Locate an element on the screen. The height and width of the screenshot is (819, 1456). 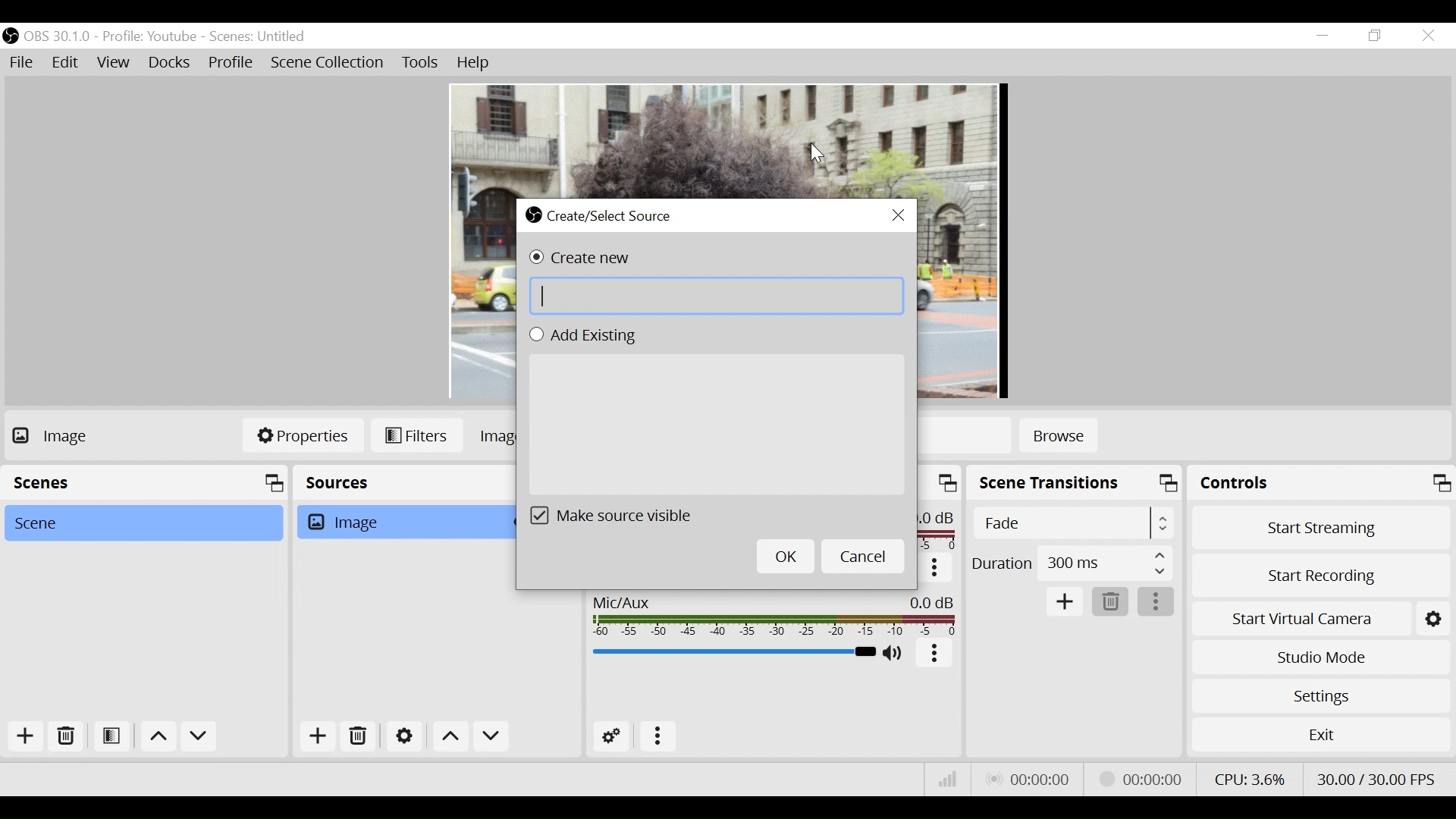
Tools is located at coordinates (422, 64).